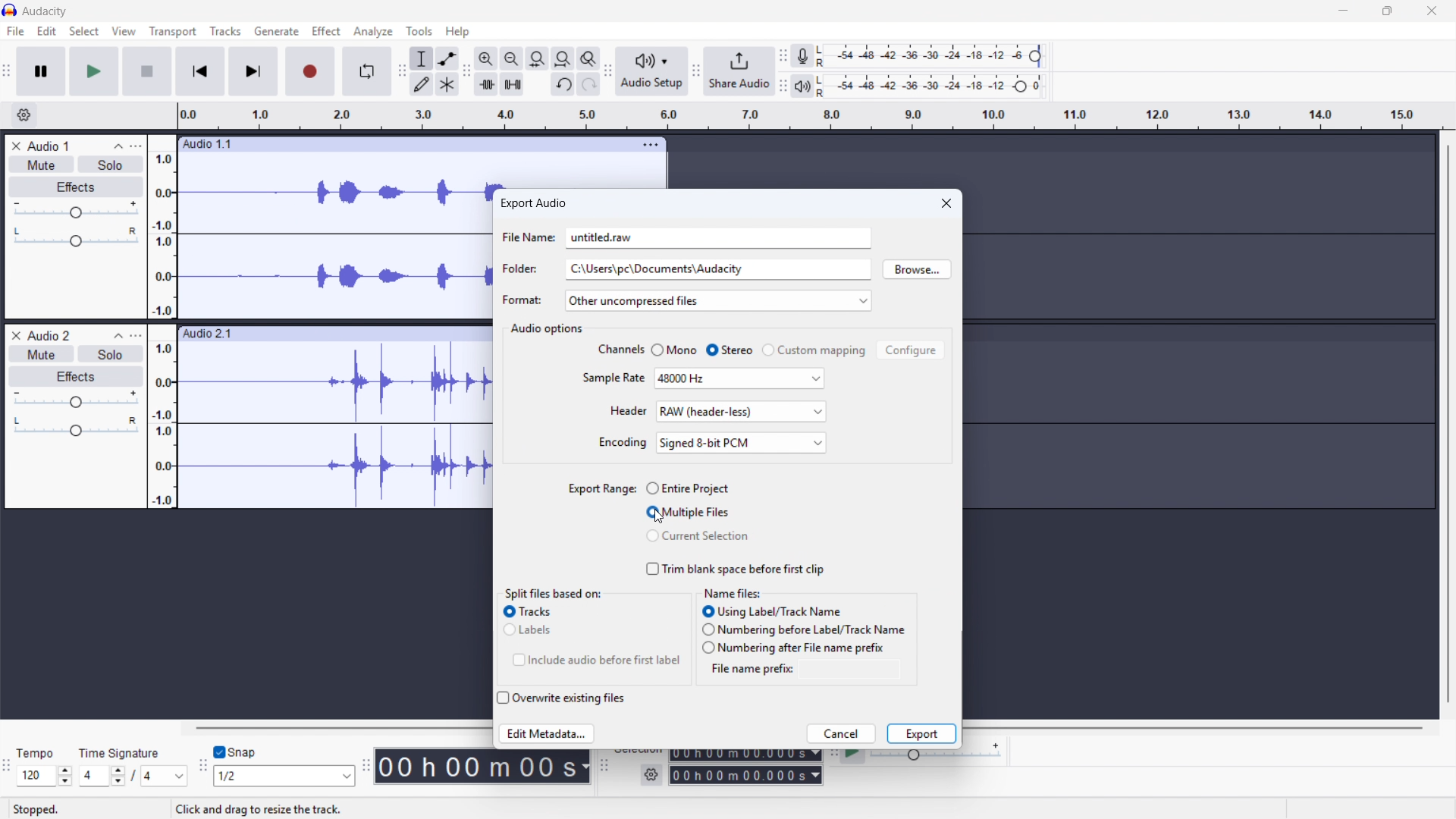 The width and height of the screenshot is (1456, 819). Describe the element at coordinates (843, 669) in the screenshot. I see `add file name prefix` at that location.